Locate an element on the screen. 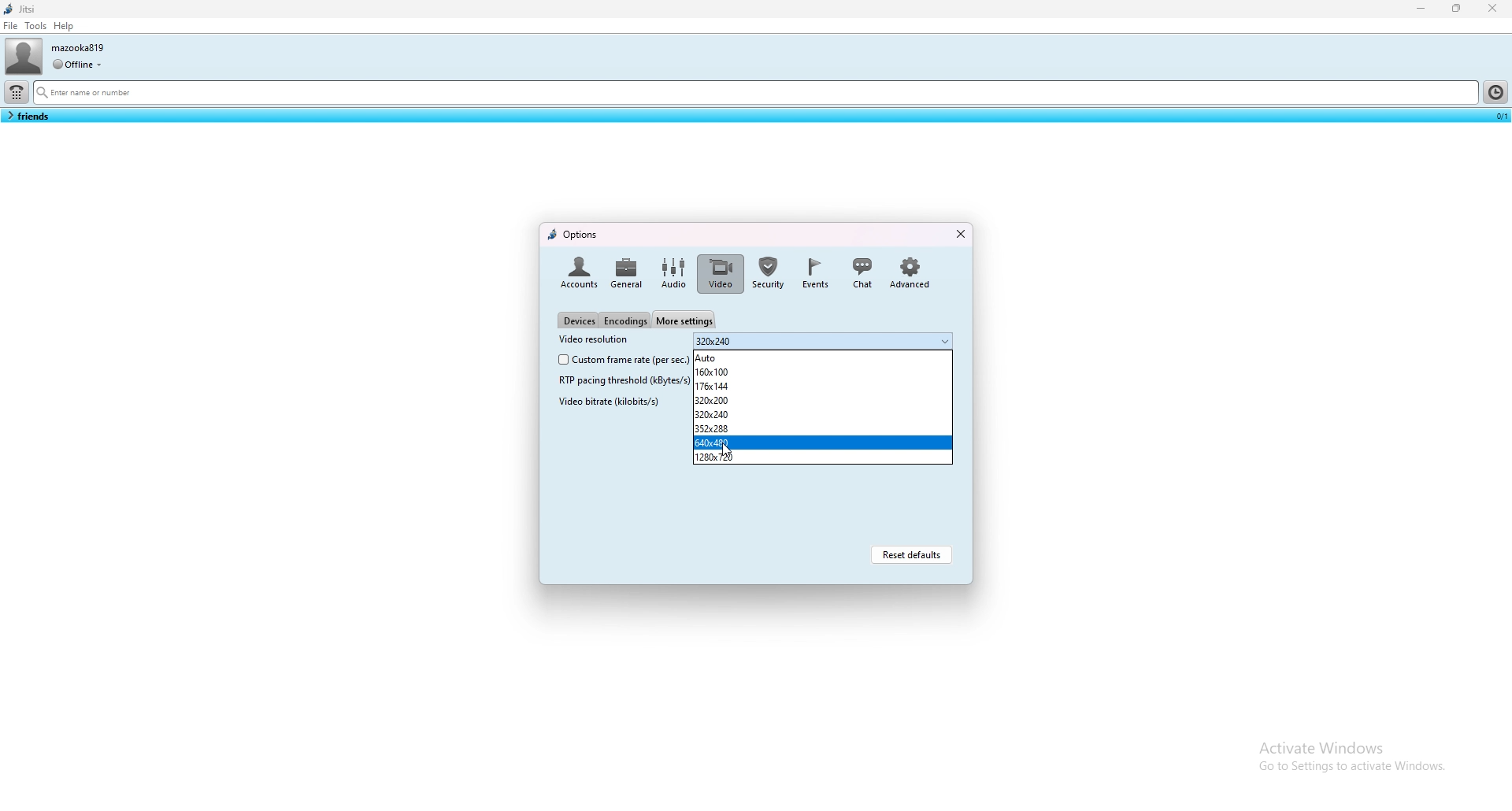 Image resolution: width=1512 pixels, height=811 pixels. Go to settings to activate Windows. is located at coordinates (1350, 770).